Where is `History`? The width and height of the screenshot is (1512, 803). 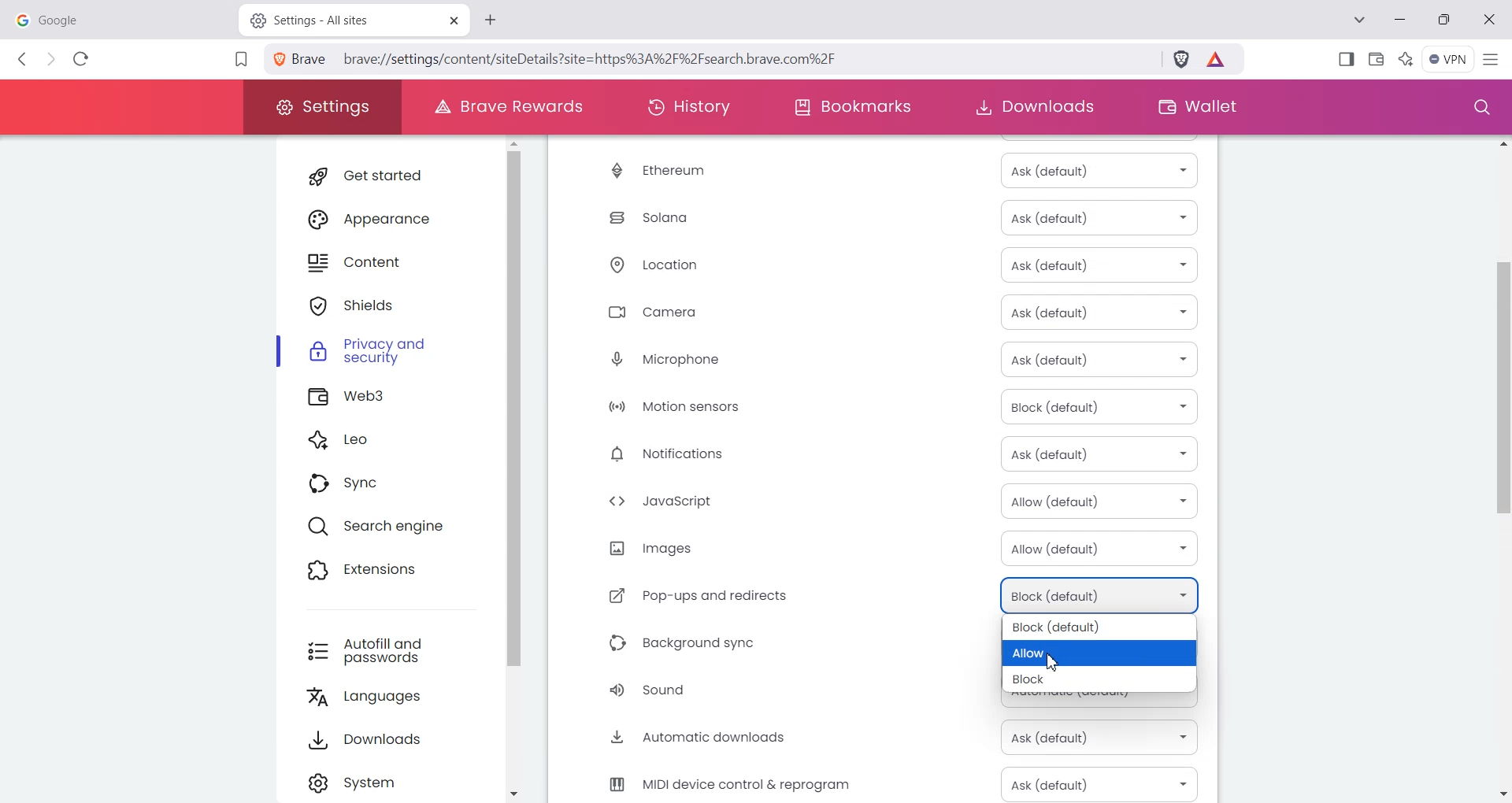 History is located at coordinates (689, 107).